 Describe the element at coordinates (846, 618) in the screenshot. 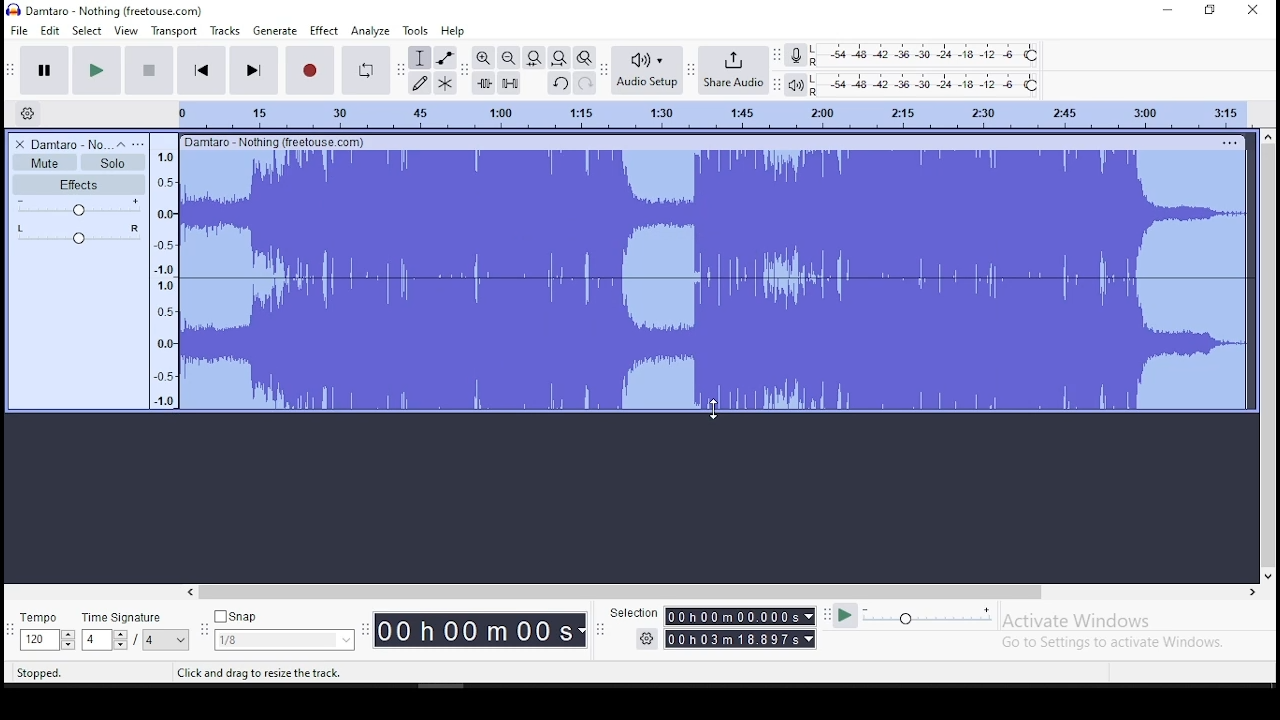

I see `play` at that location.